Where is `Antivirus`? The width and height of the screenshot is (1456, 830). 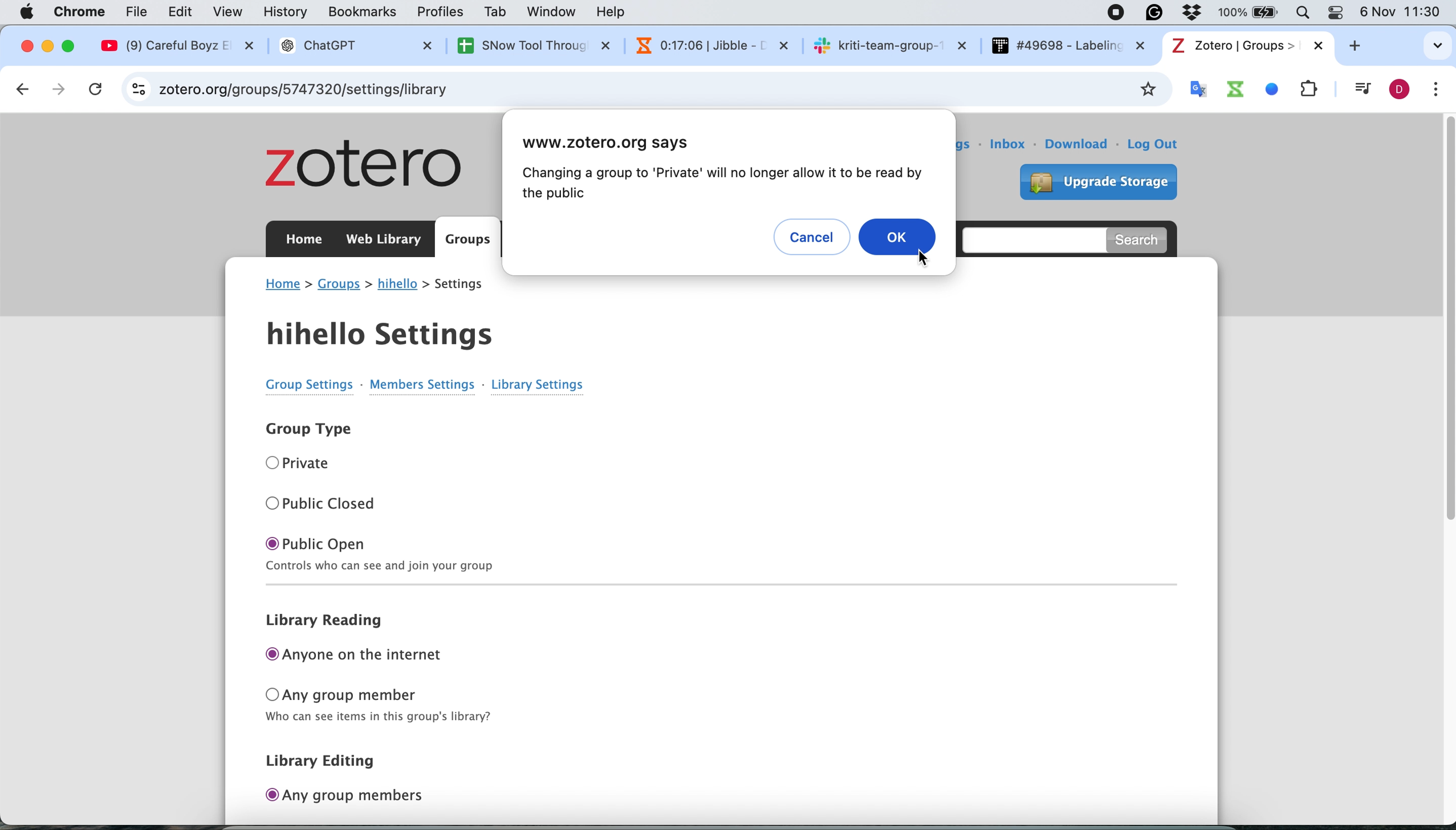
Antivirus is located at coordinates (1197, 11).